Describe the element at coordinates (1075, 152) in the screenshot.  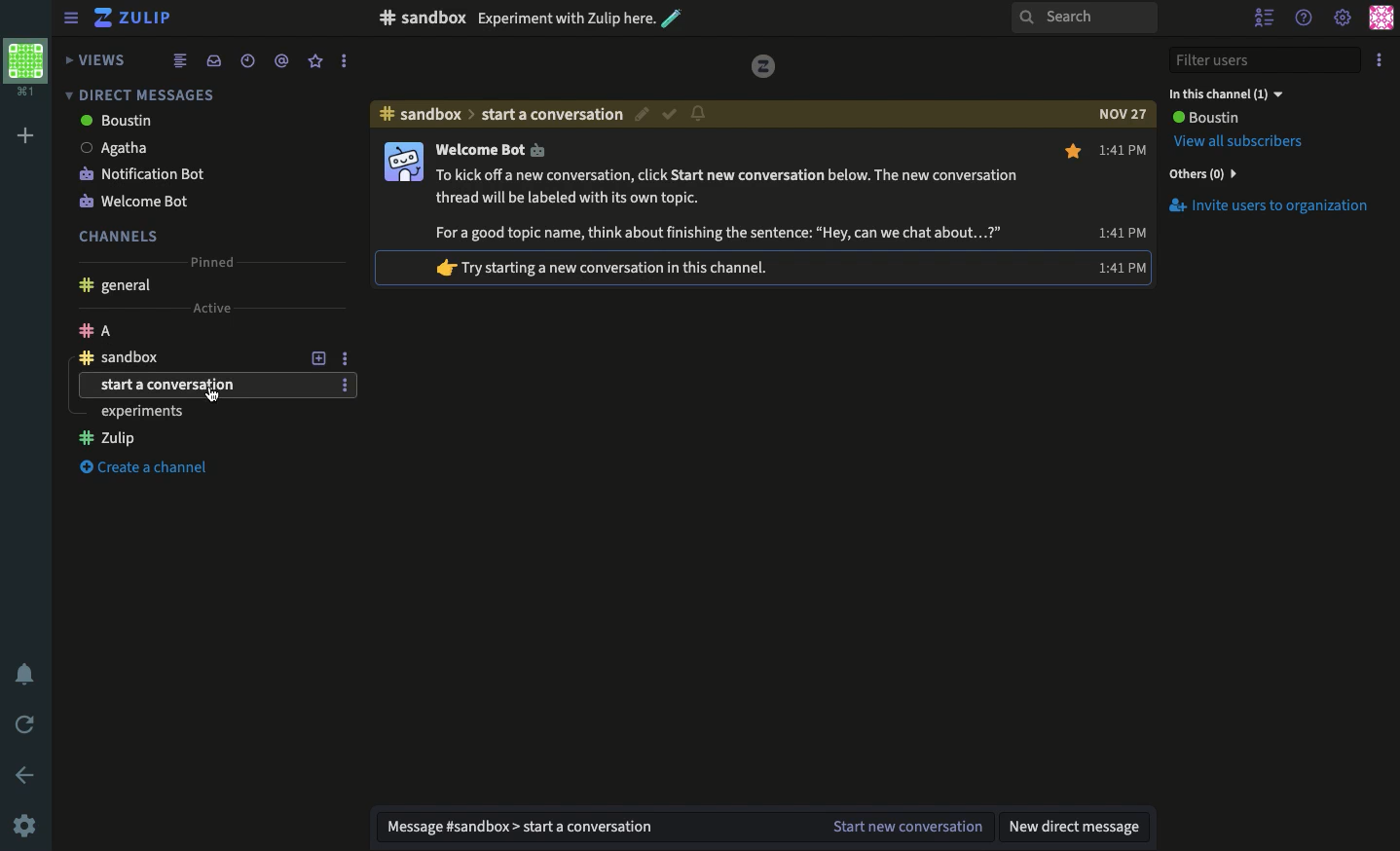
I see `Favorite` at that location.